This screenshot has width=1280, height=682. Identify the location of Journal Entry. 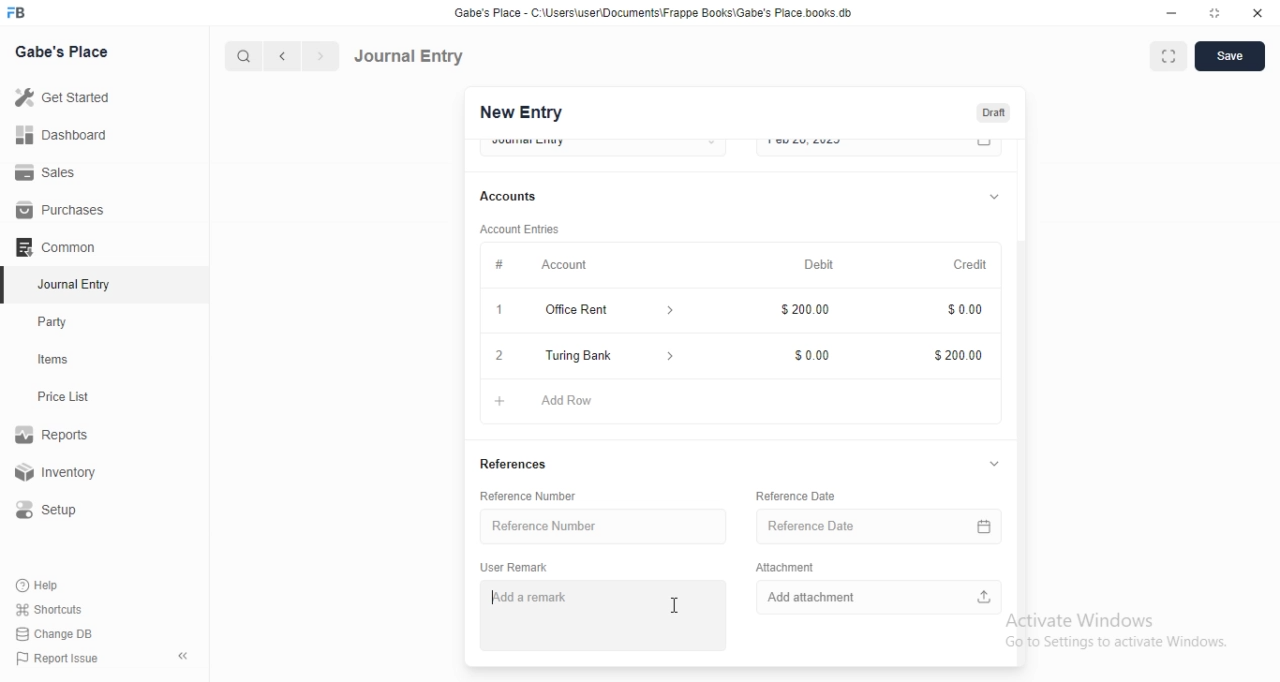
(409, 56).